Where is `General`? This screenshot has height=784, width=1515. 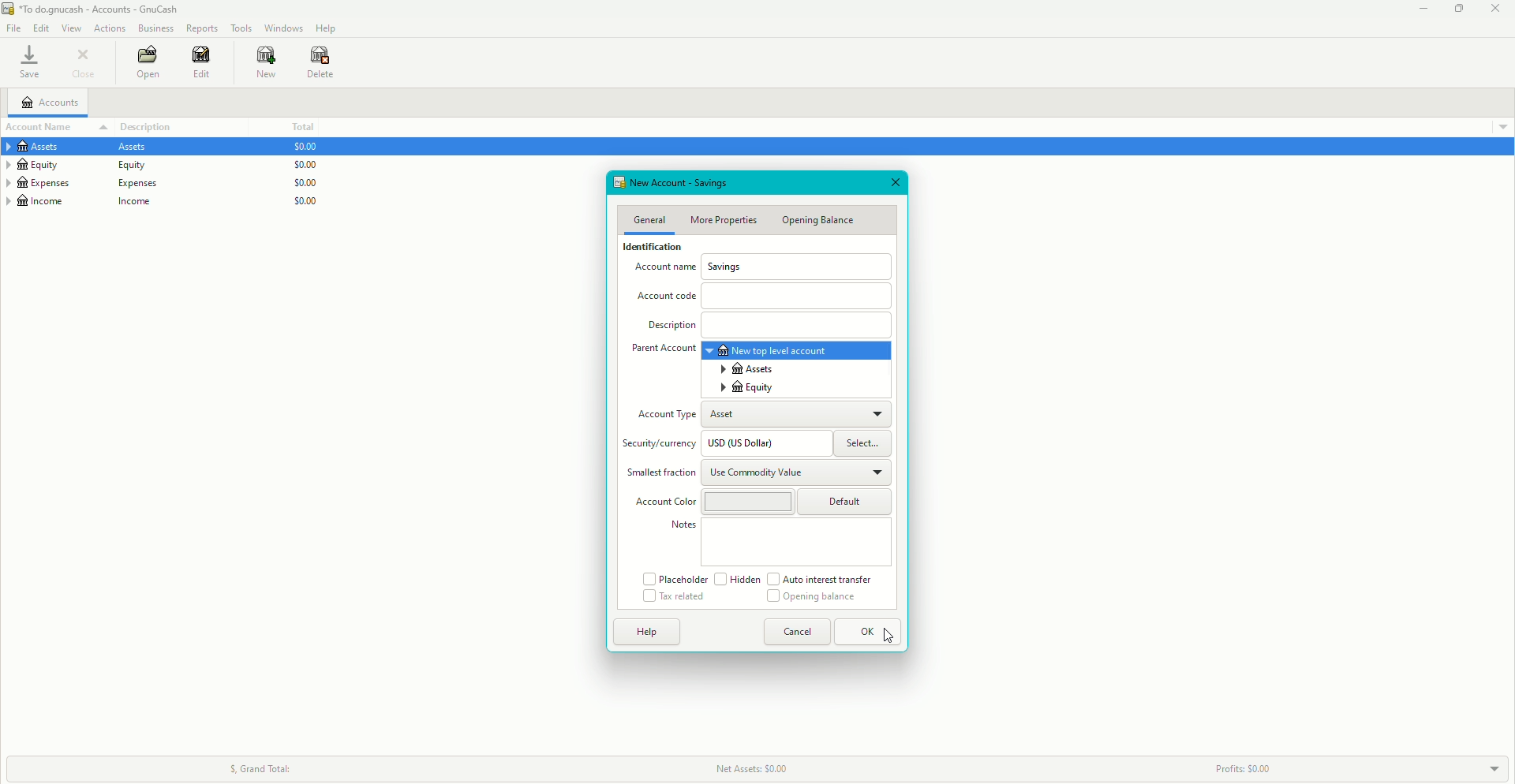 General is located at coordinates (649, 219).